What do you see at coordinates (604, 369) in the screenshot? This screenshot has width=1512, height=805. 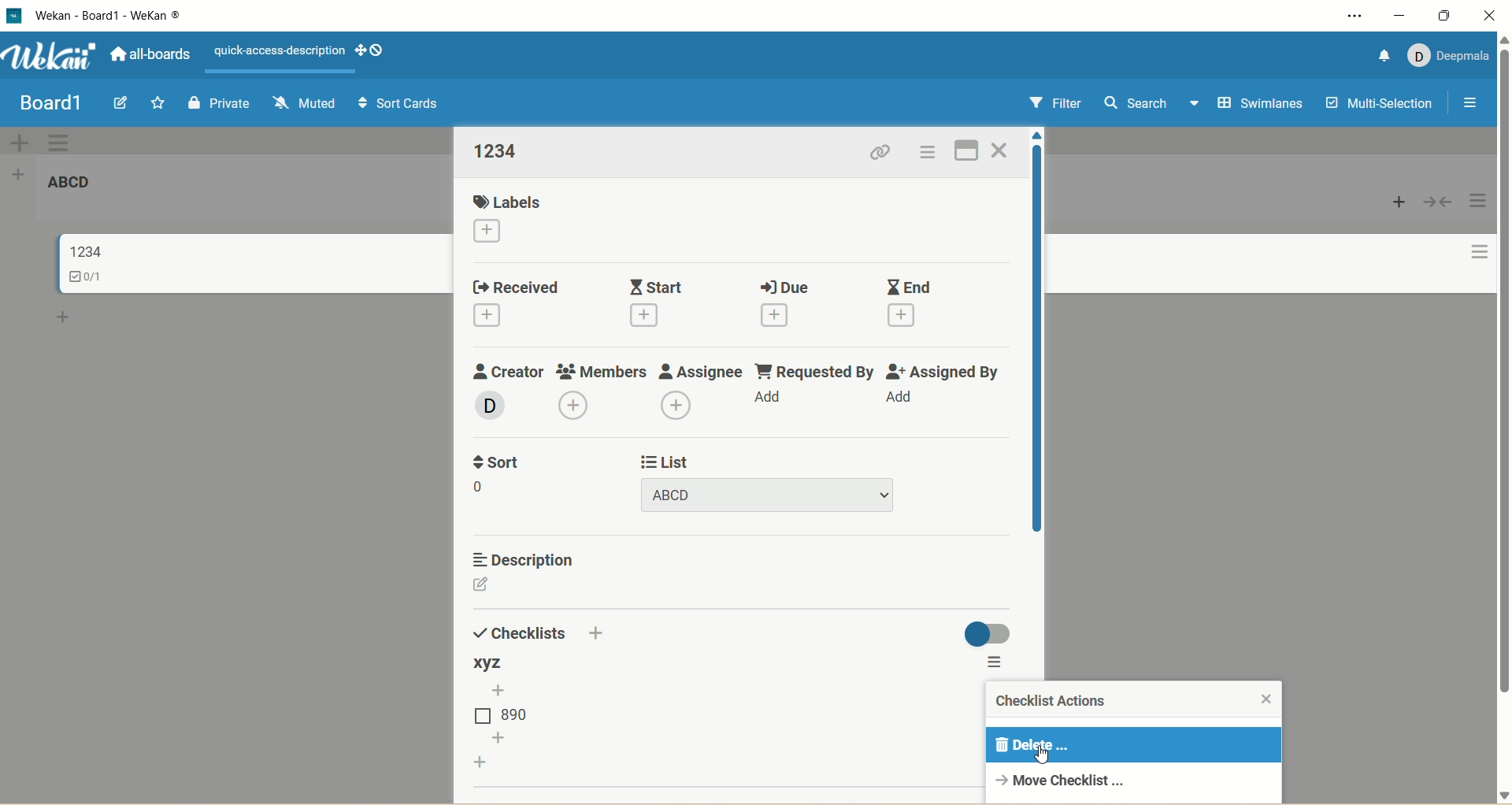 I see `members` at bounding box center [604, 369].